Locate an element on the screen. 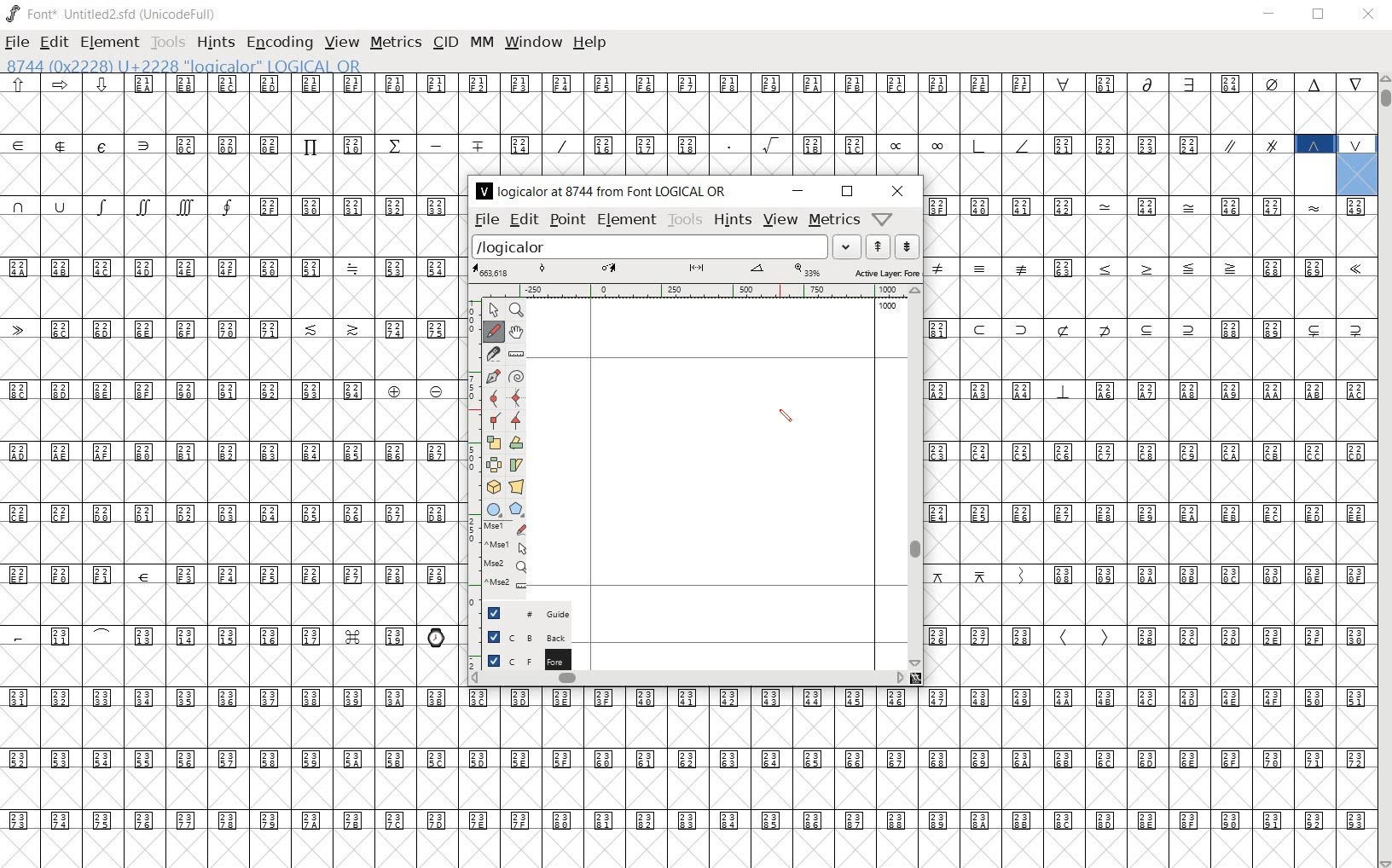 The width and height of the screenshot is (1392, 868). background layer is located at coordinates (518, 635).